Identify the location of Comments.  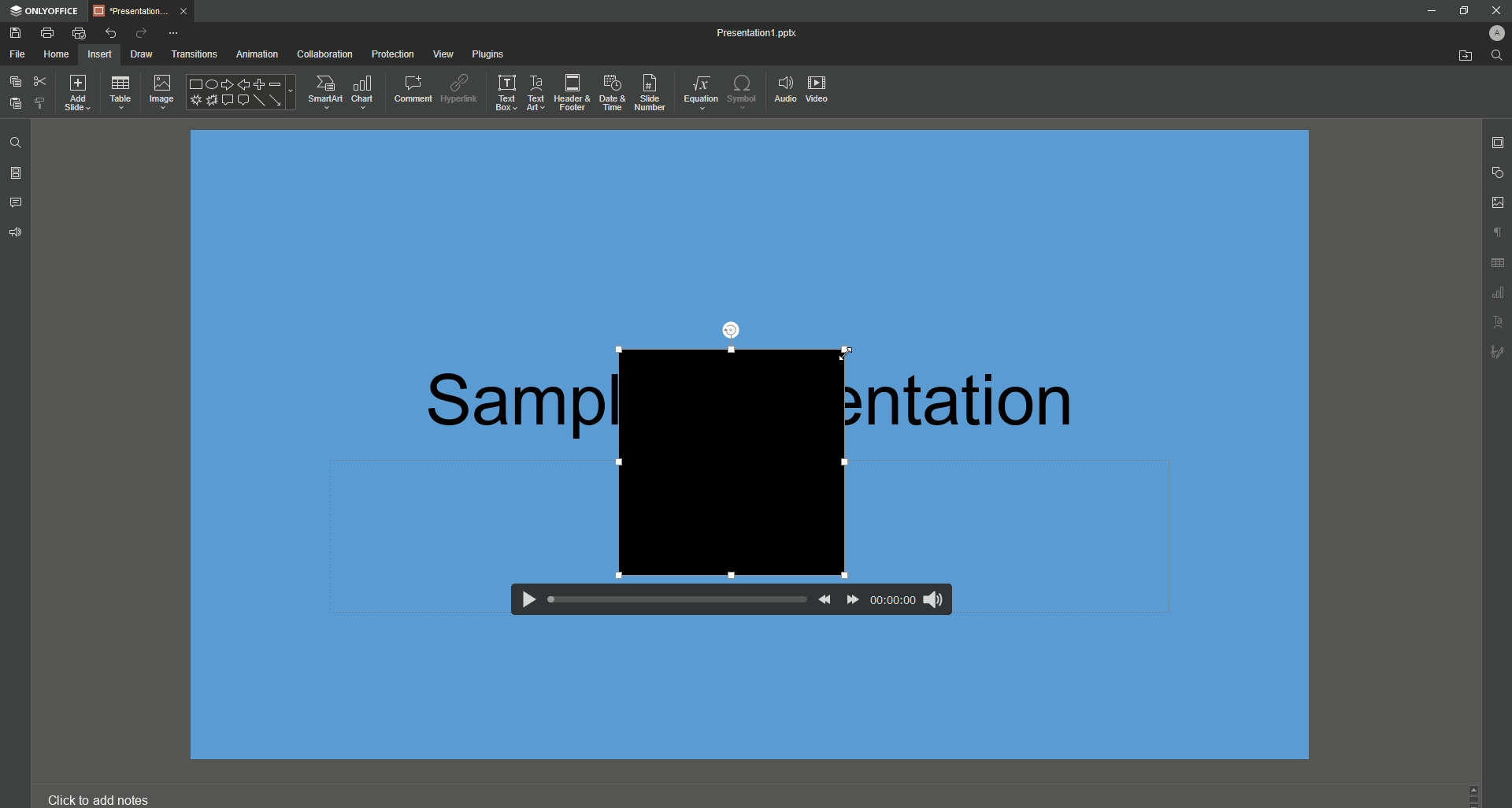
(17, 203).